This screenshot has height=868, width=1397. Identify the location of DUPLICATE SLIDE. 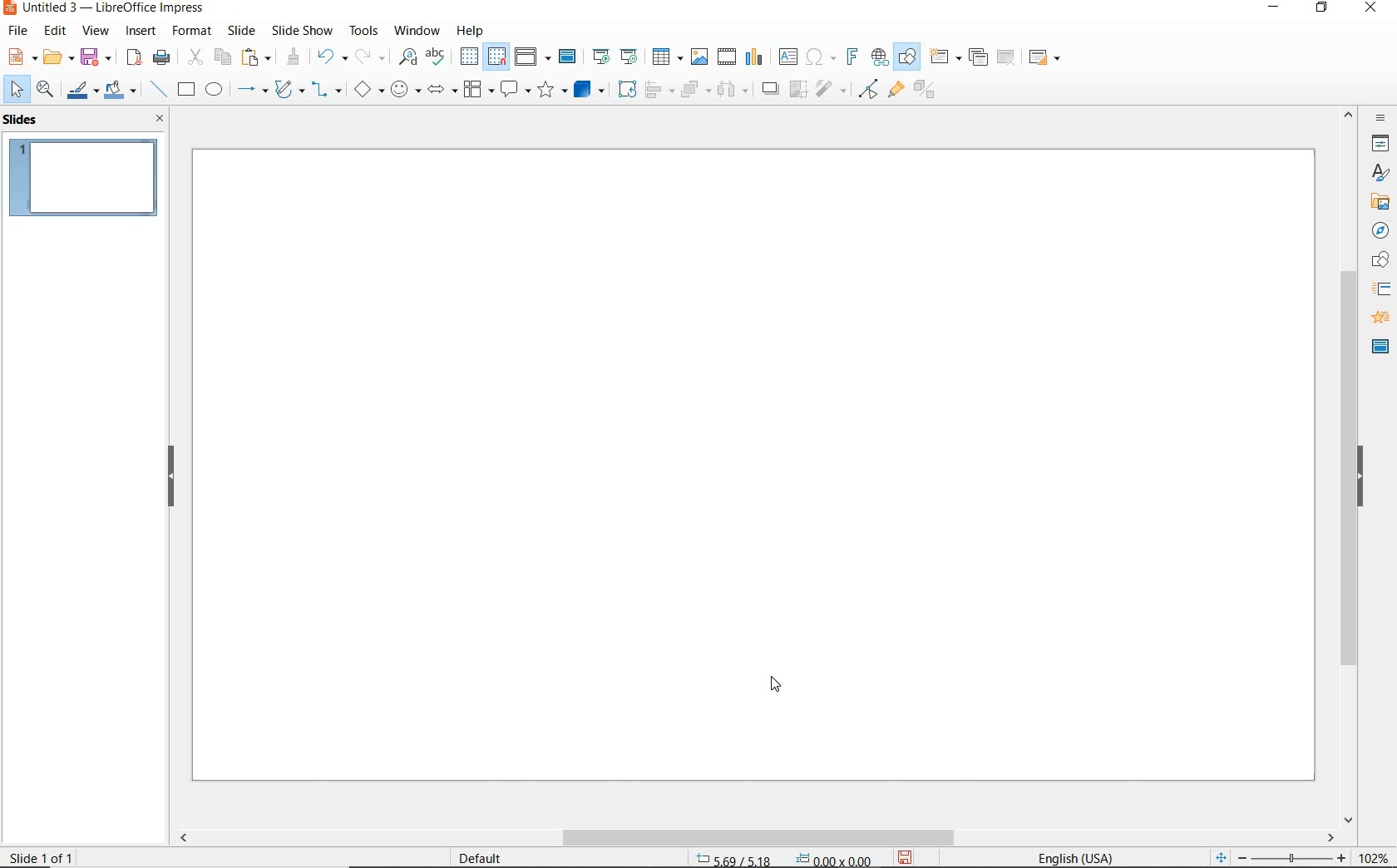
(976, 56).